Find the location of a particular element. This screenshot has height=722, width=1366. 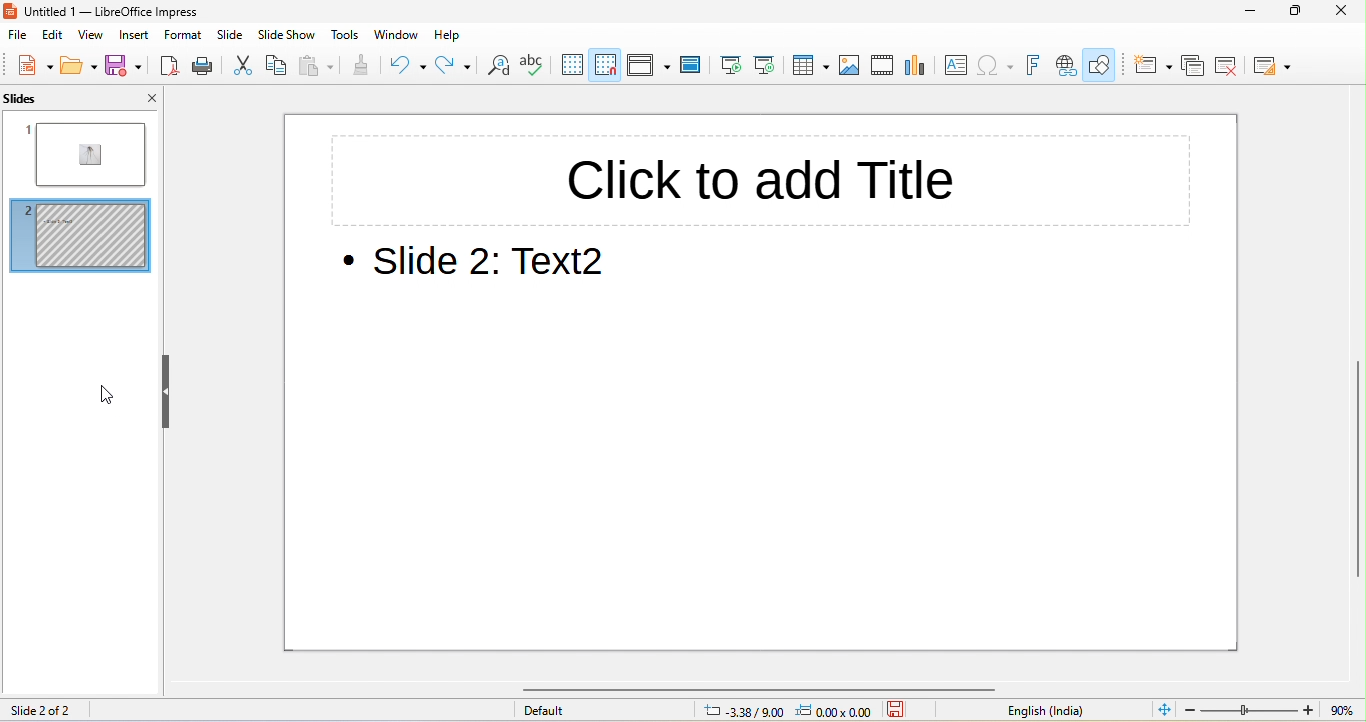

text box is located at coordinates (957, 67).